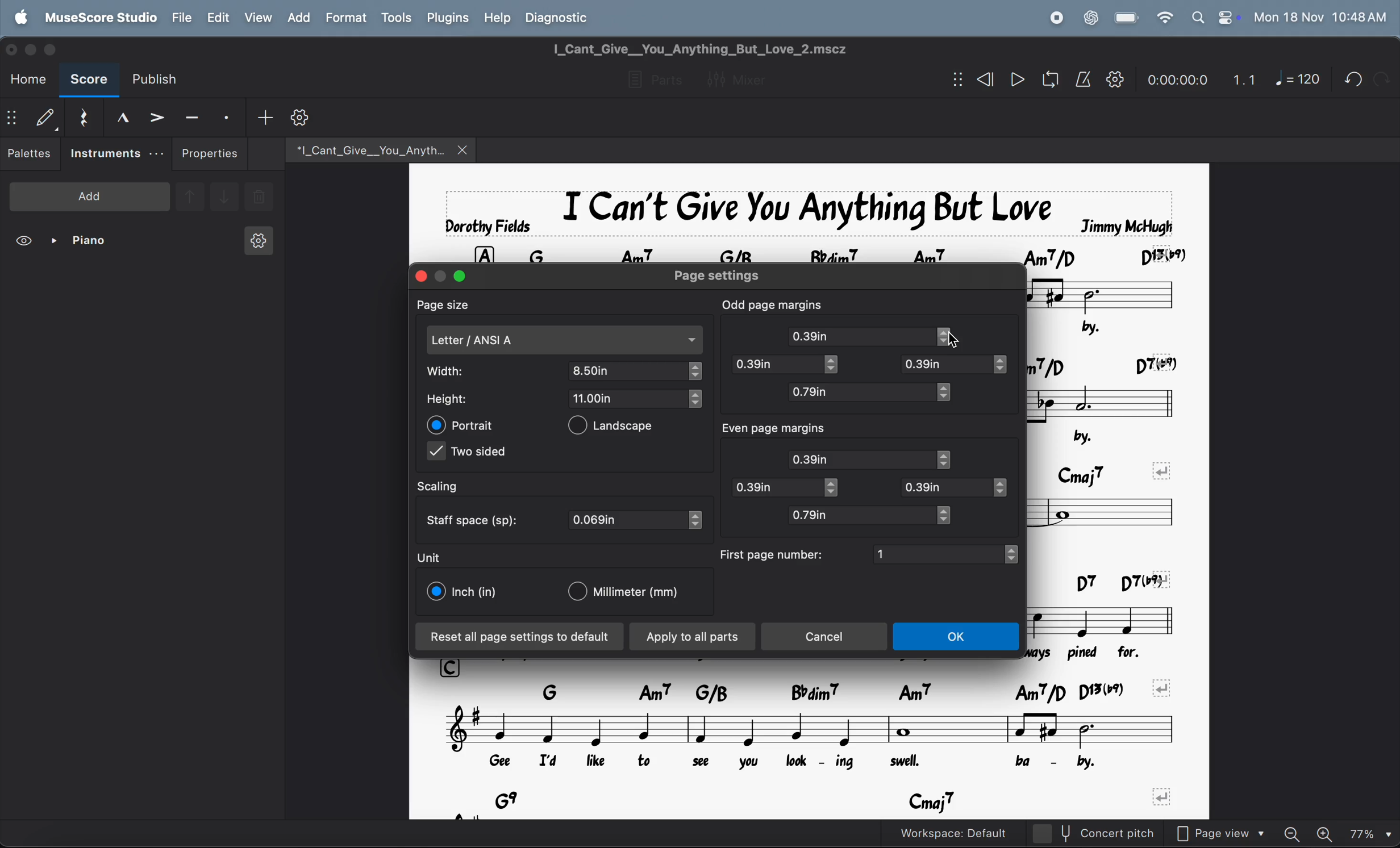 This screenshot has width=1400, height=848. What do you see at coordinates (955, 80) in the screenshot?
I see `show/hide` at bounding box center [955, 80].